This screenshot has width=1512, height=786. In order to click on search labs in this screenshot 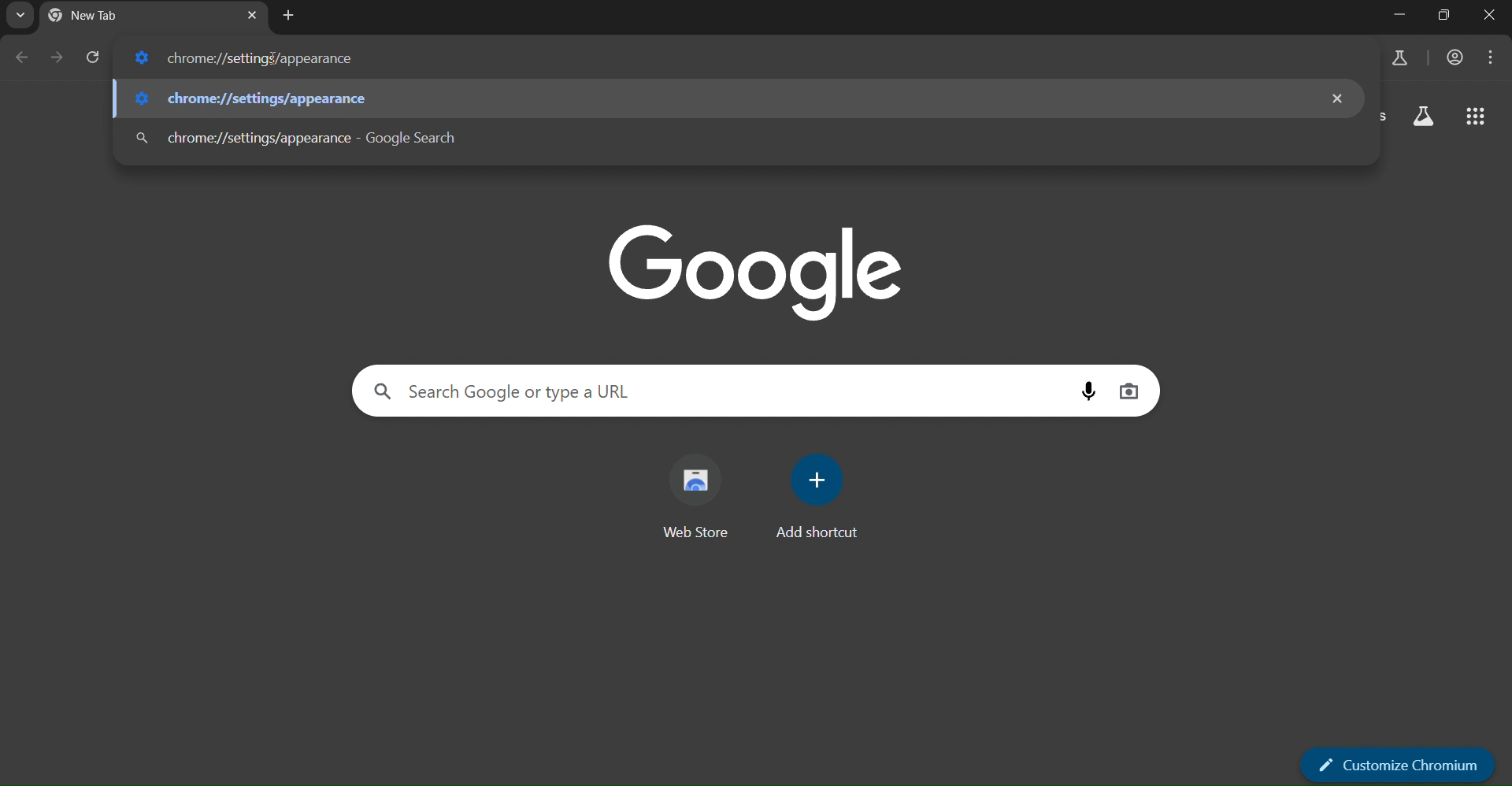, I will do `click(1398, 59)`.